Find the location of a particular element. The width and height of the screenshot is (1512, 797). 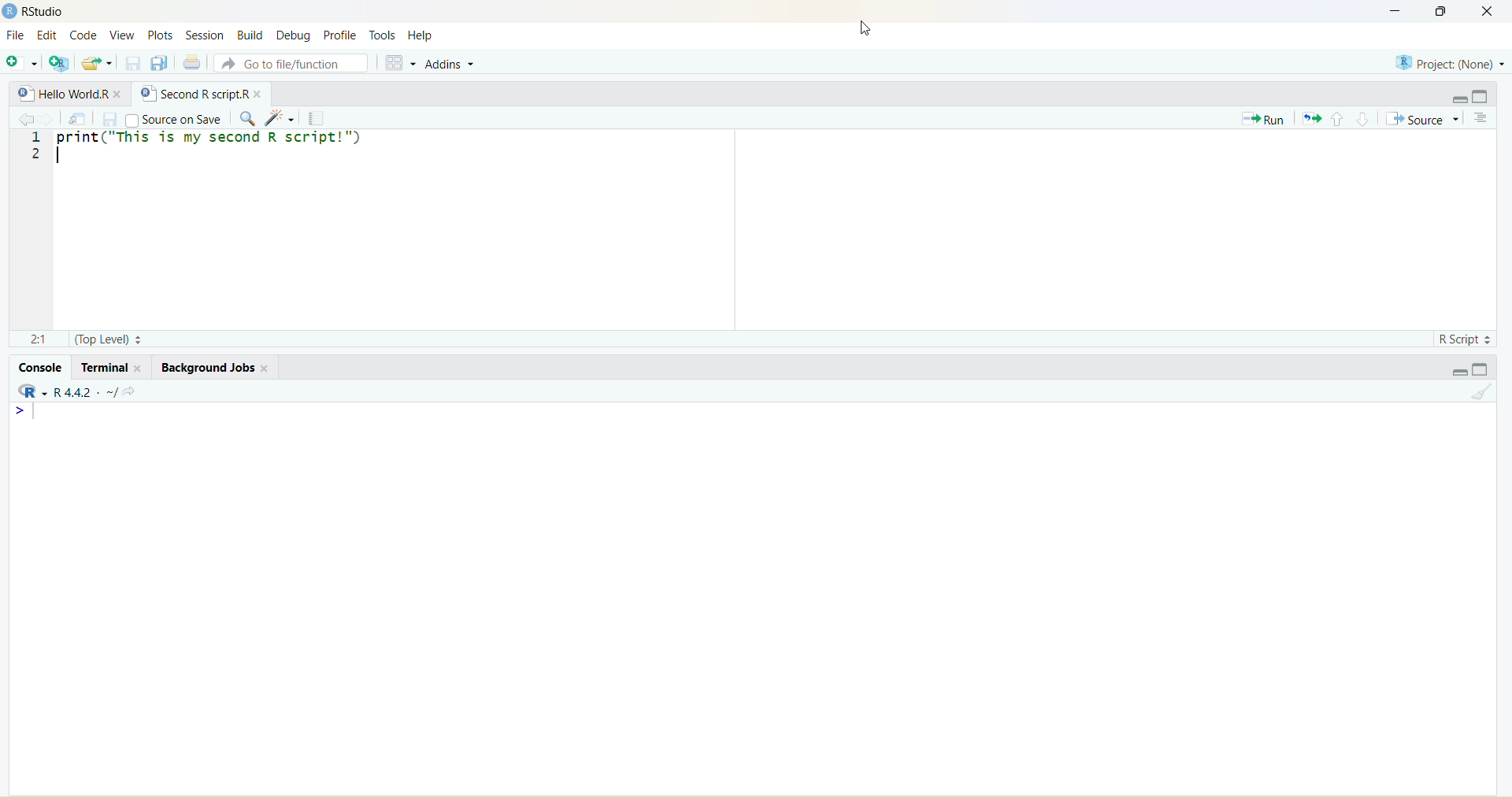

Go back to the previous source location (Ctrl + F9) is located at coordinates (24, 118).